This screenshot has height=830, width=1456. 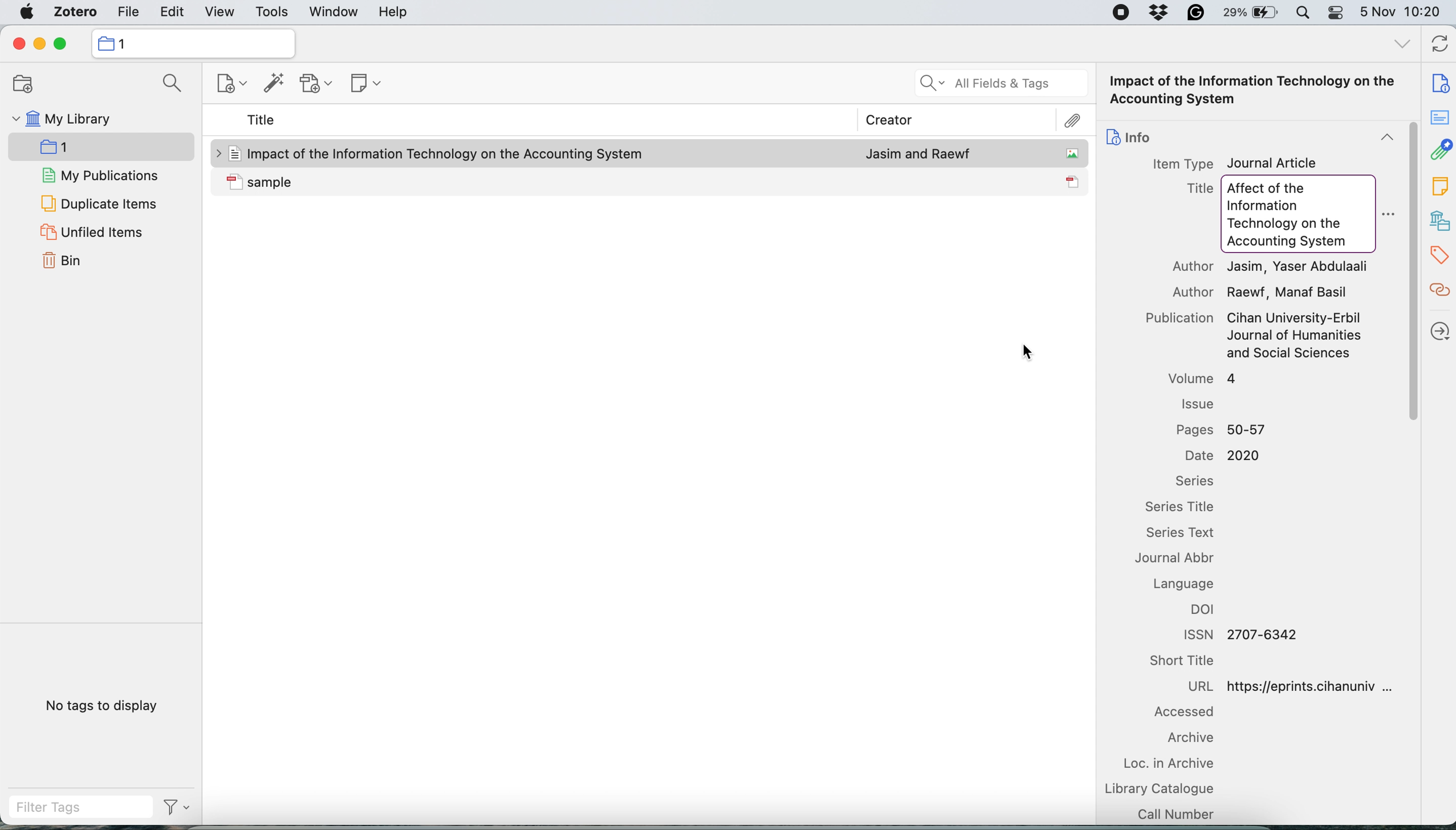 What do you see at coordinates (227, 83) in the screenshot?
I see `new item` at bounding box center [227, 83].